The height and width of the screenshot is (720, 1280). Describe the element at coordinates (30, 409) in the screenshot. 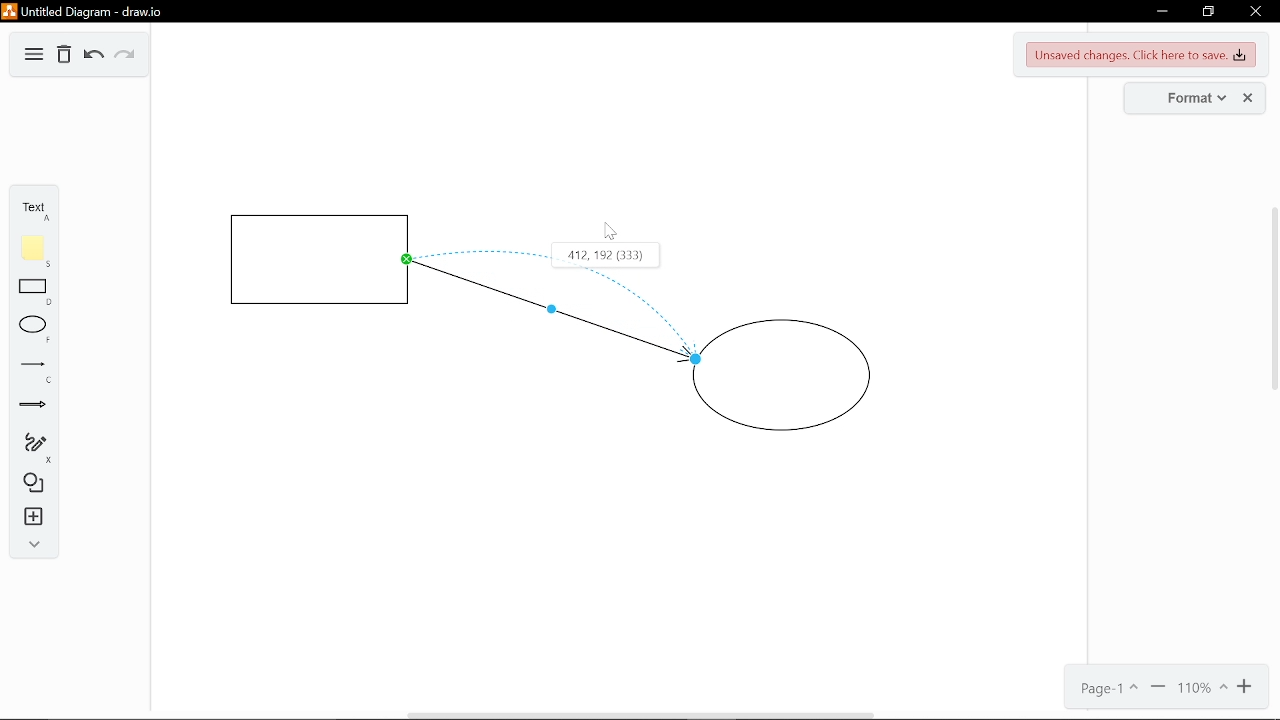

I see `Arrow` at that location.